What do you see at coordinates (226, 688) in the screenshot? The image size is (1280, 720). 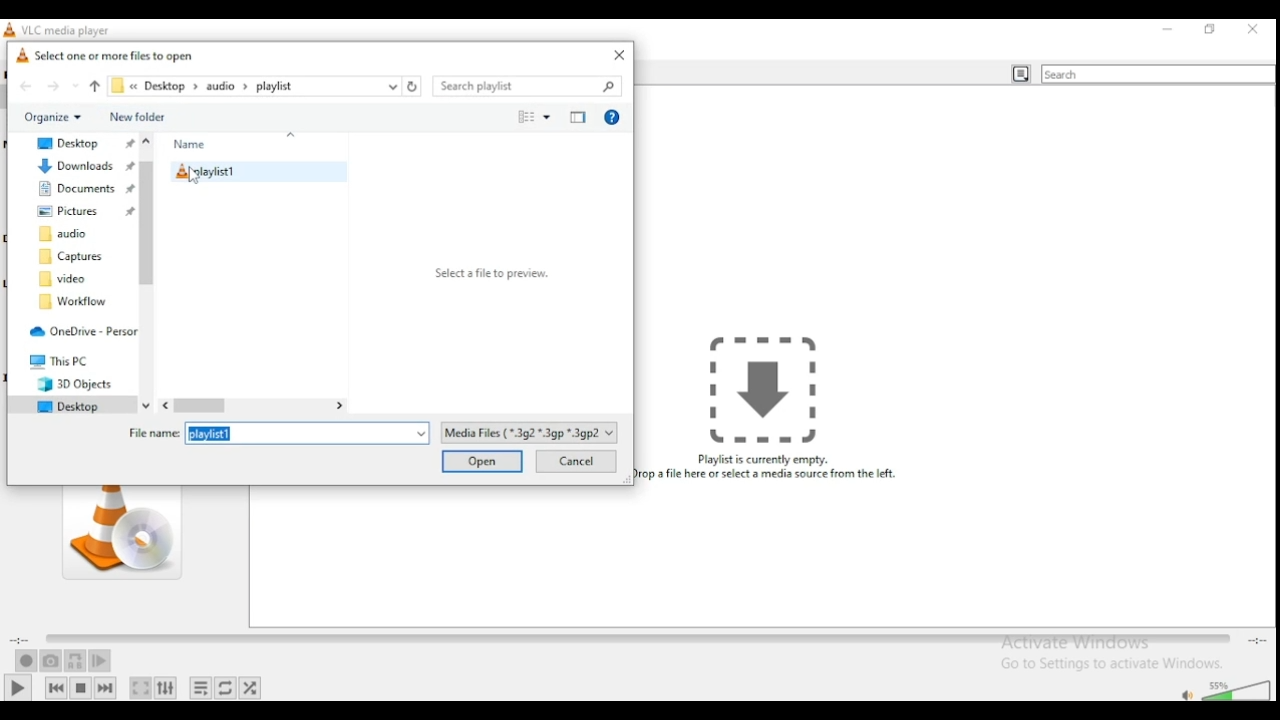 I see `select between loop all, loop one, and no loop` at bounding box center [226, 688].